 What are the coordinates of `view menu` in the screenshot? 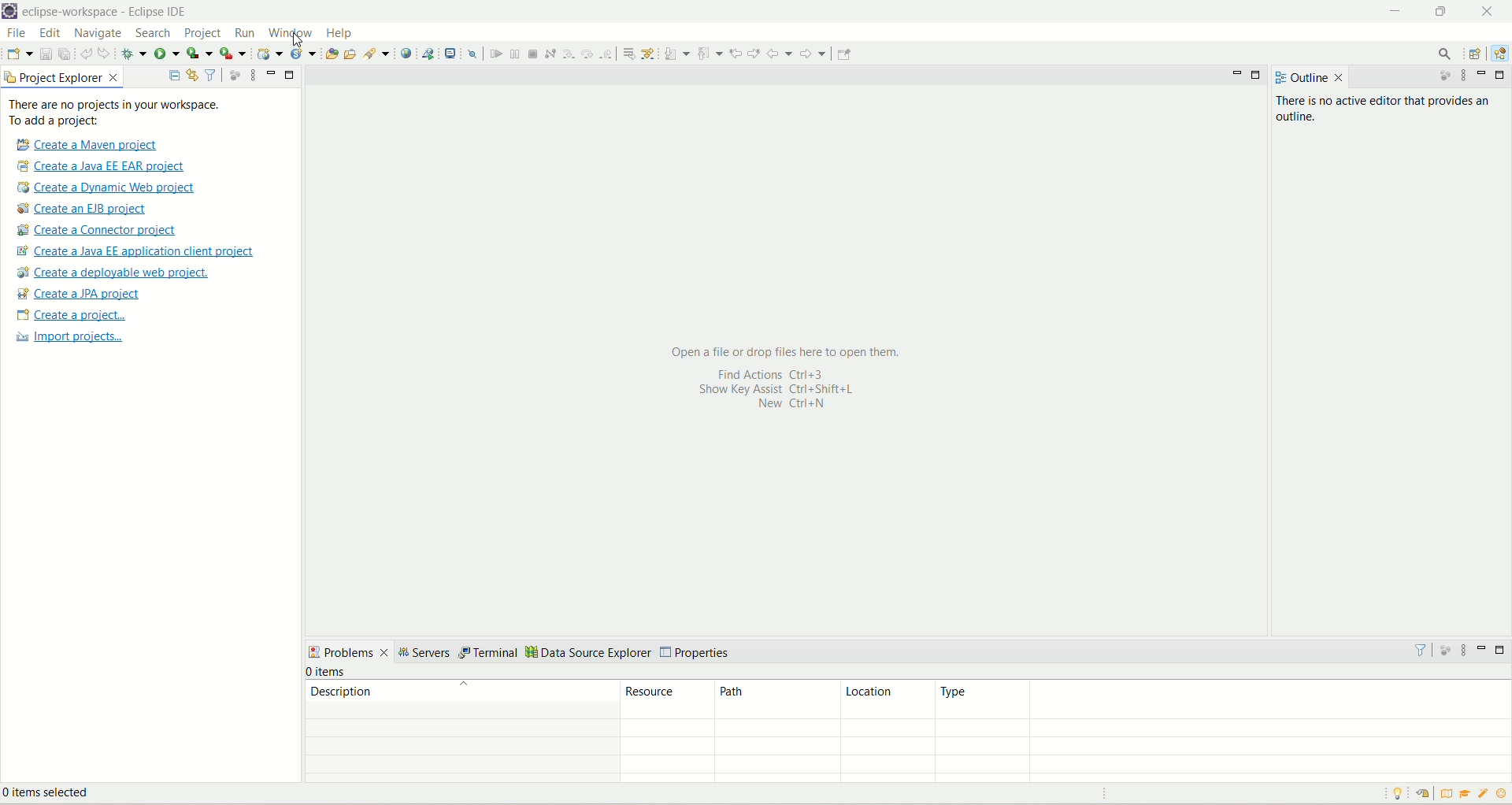 It's located at (249, 76).